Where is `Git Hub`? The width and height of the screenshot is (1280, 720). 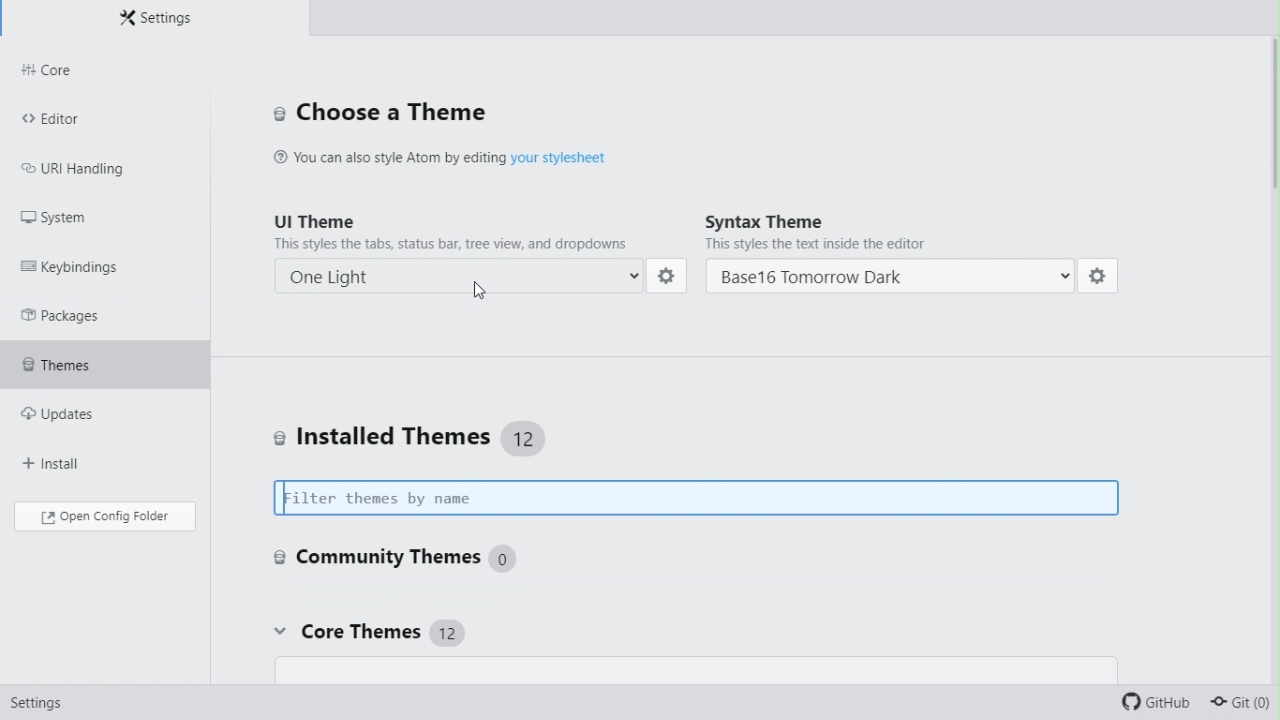
Git Hub is located at coordinates (1160, 704).